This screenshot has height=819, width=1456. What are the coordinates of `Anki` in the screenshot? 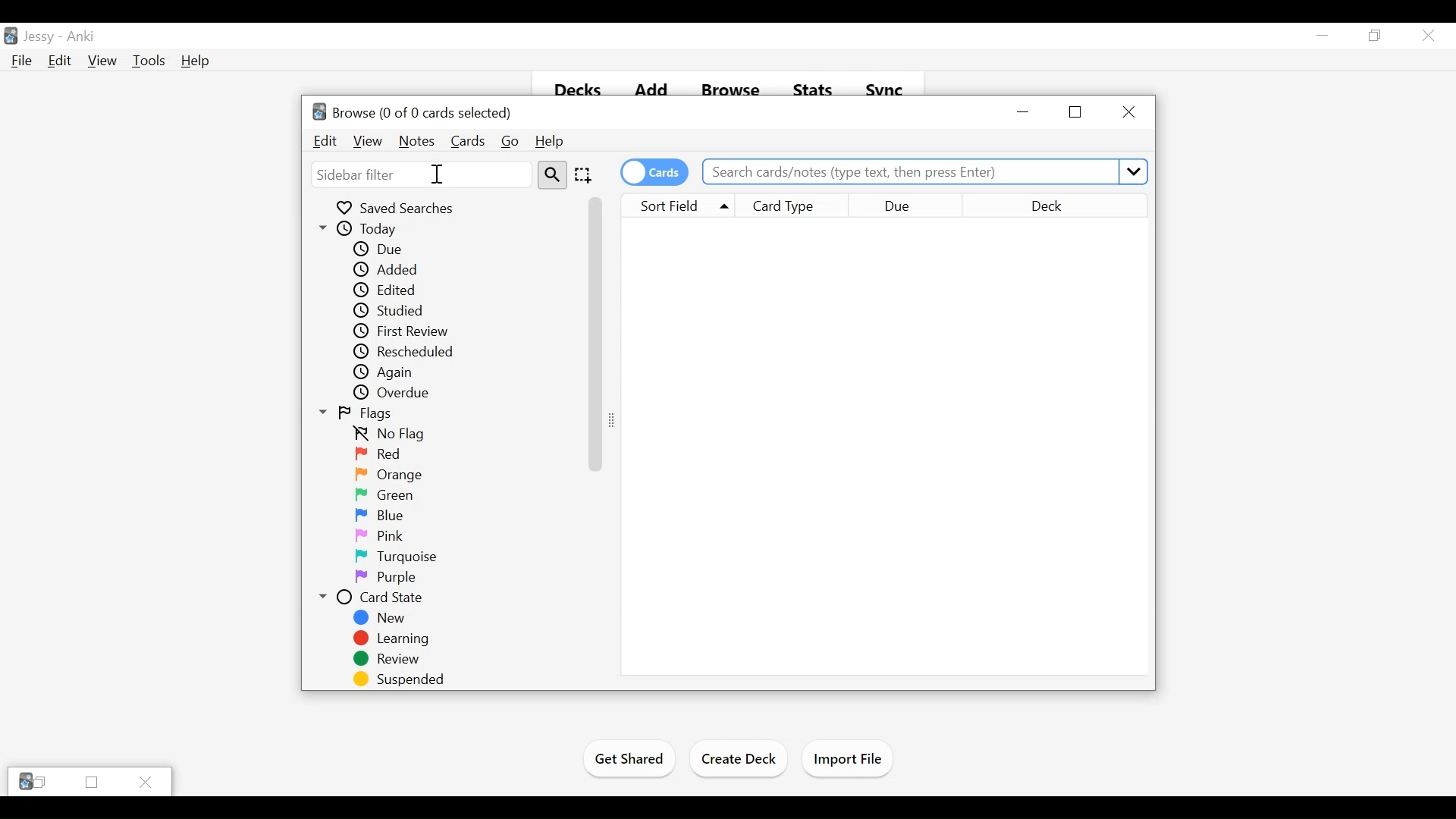 It's located at (80, 37).